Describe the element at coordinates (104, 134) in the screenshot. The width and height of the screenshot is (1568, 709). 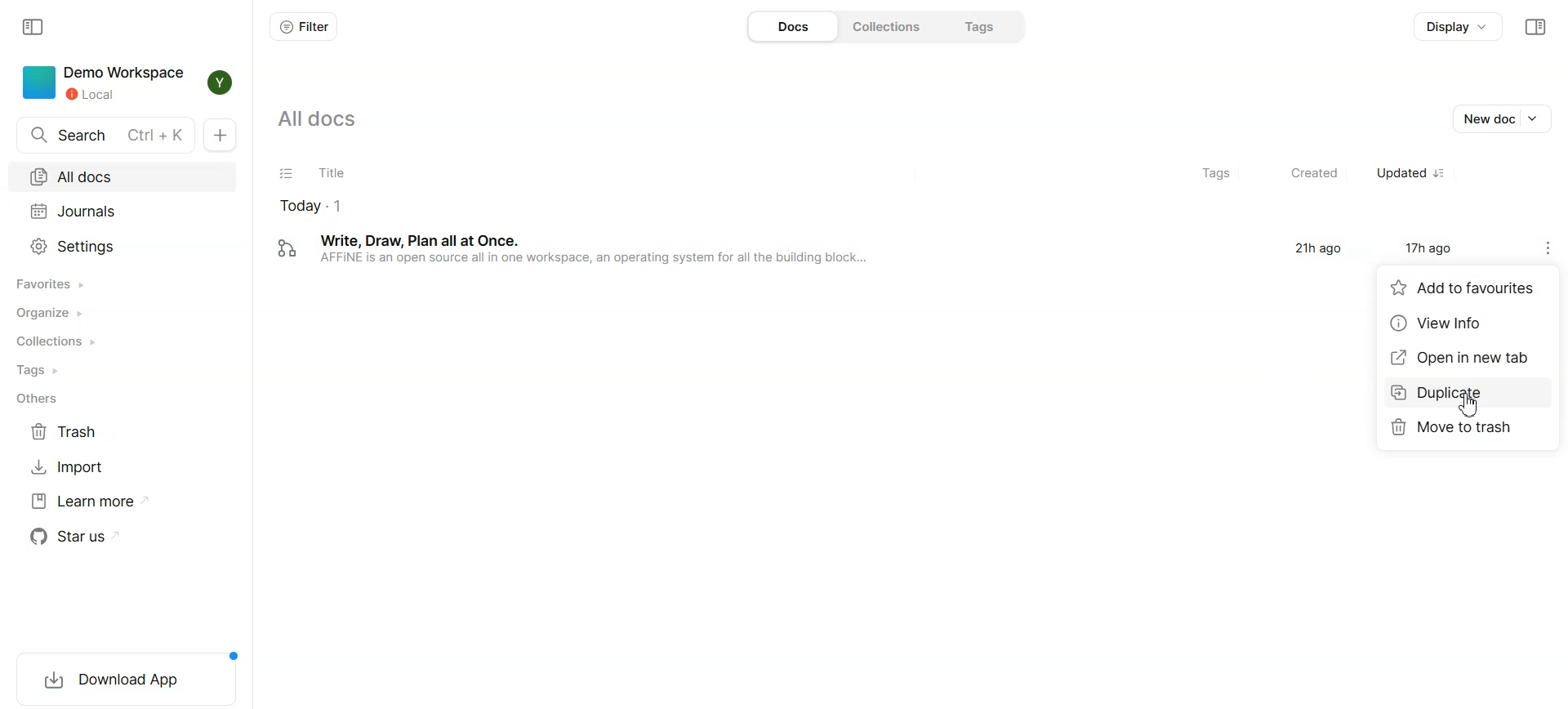
I see `Search docs` at that location.